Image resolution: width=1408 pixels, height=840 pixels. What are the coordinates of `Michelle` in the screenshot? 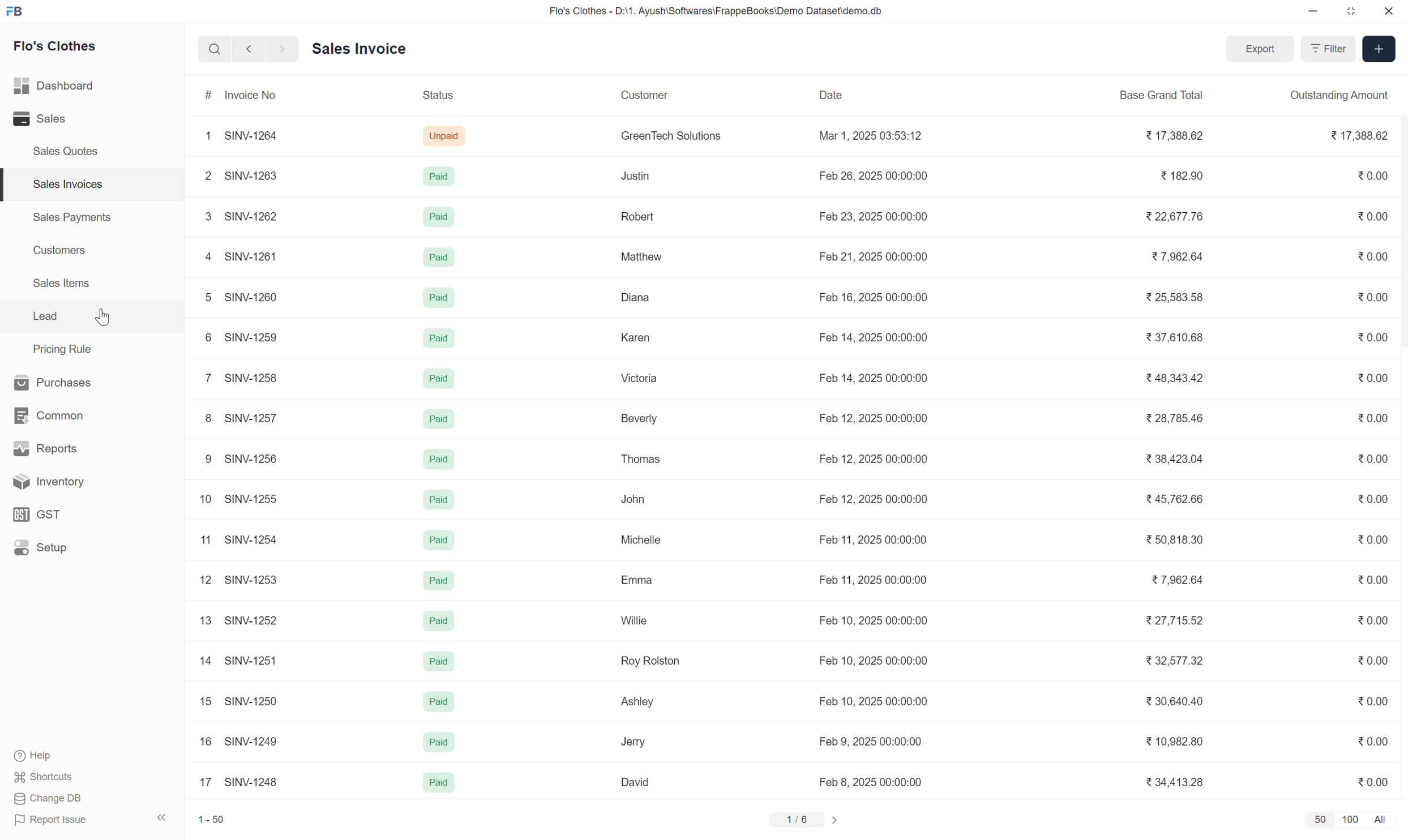 It's located at (640, 539).